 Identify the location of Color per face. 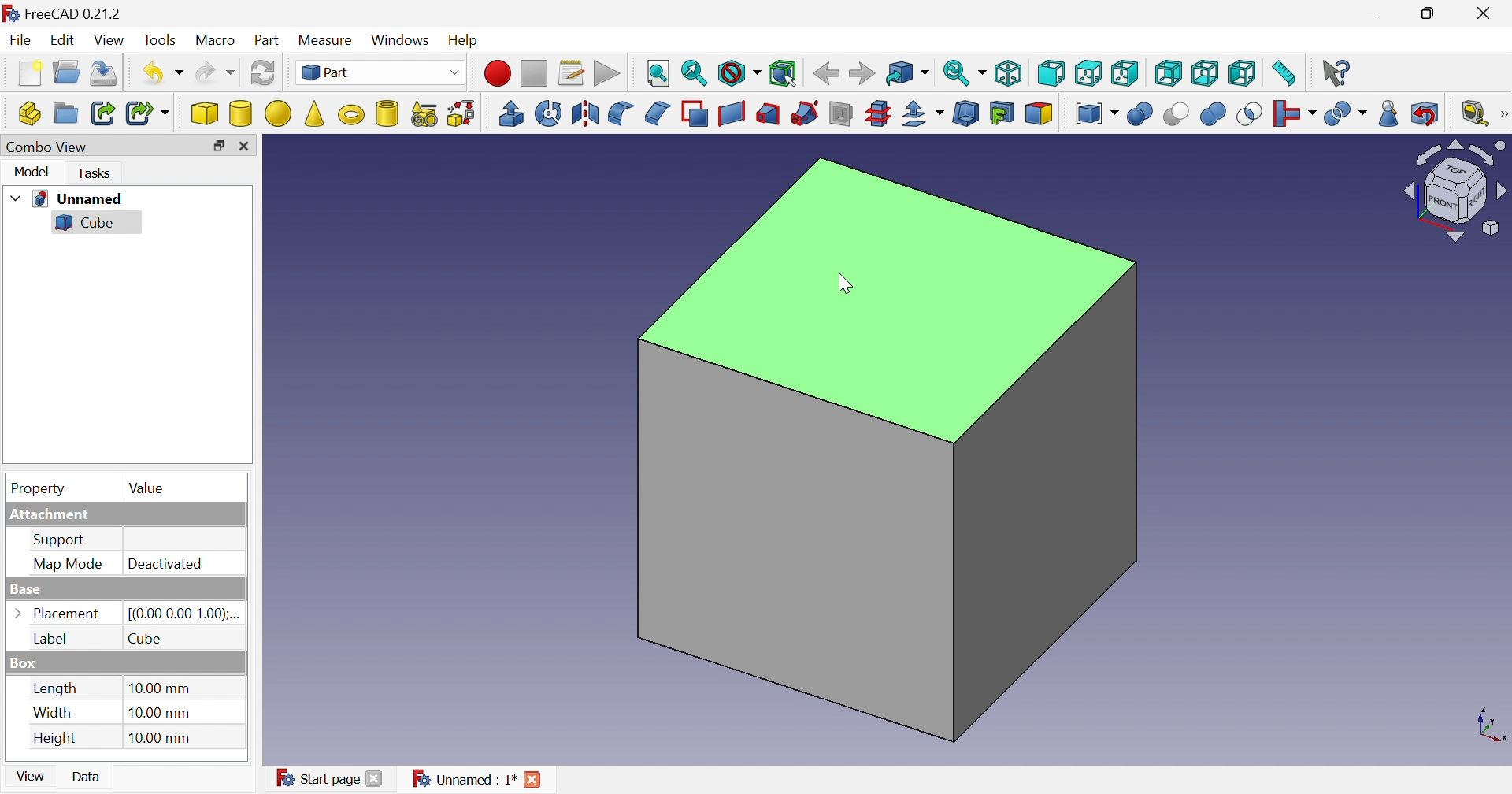
(1042, 114).